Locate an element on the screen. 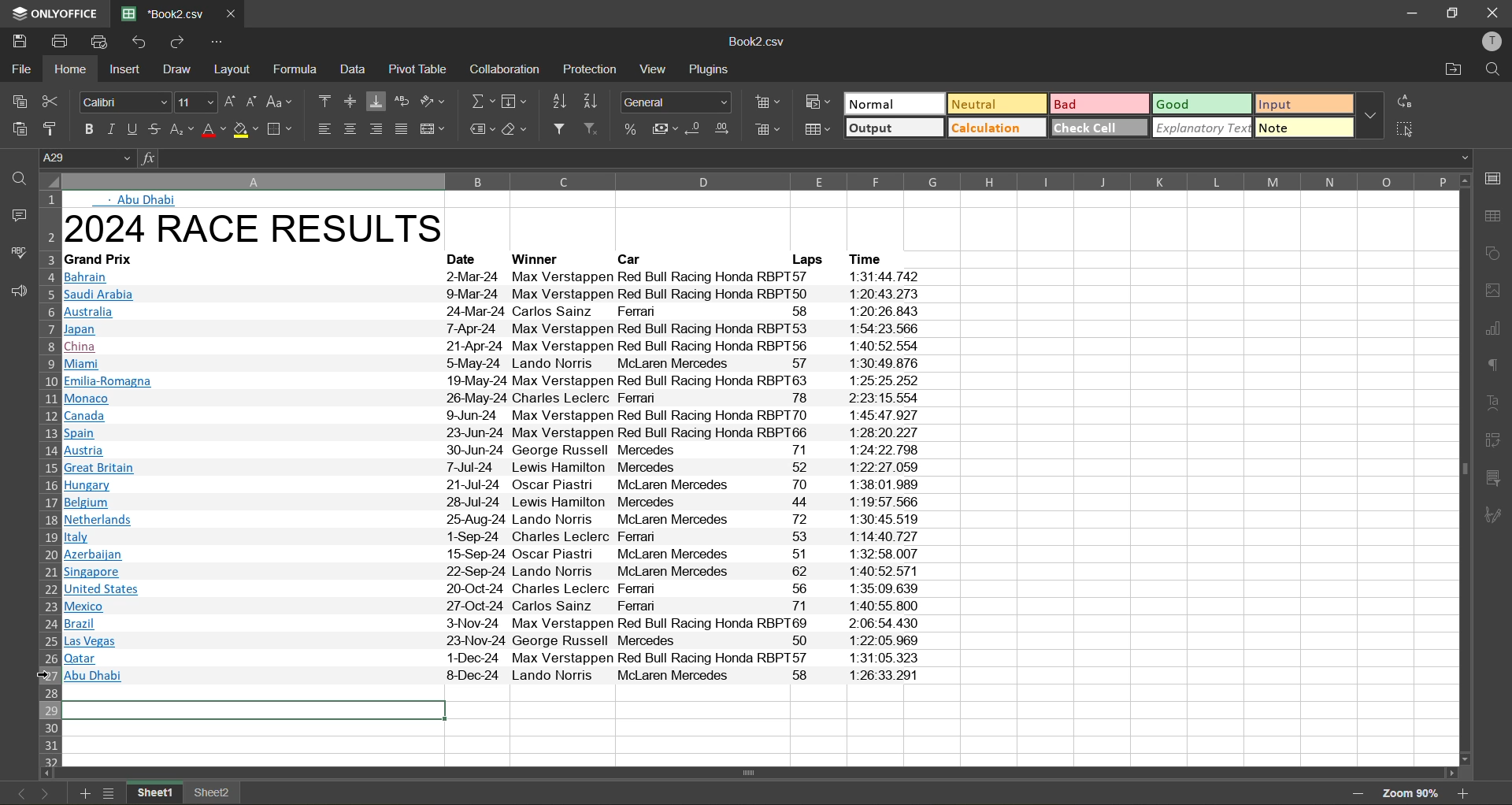 This screenshot has height=805, width=1512. next is located at coordinates (43, 793).